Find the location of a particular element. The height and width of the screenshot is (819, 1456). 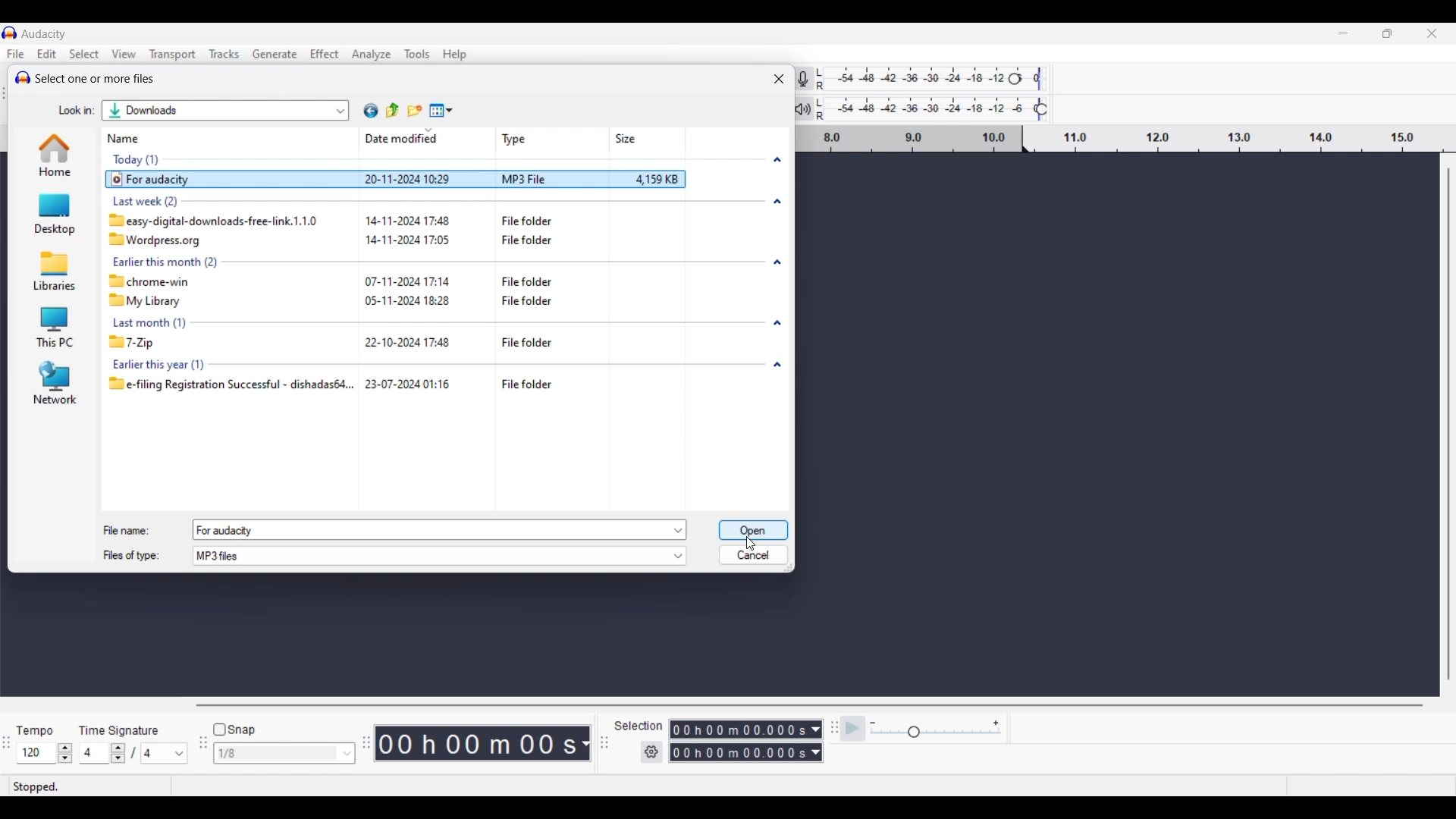

Collapse each respective column is located at coordinates (777, 262).